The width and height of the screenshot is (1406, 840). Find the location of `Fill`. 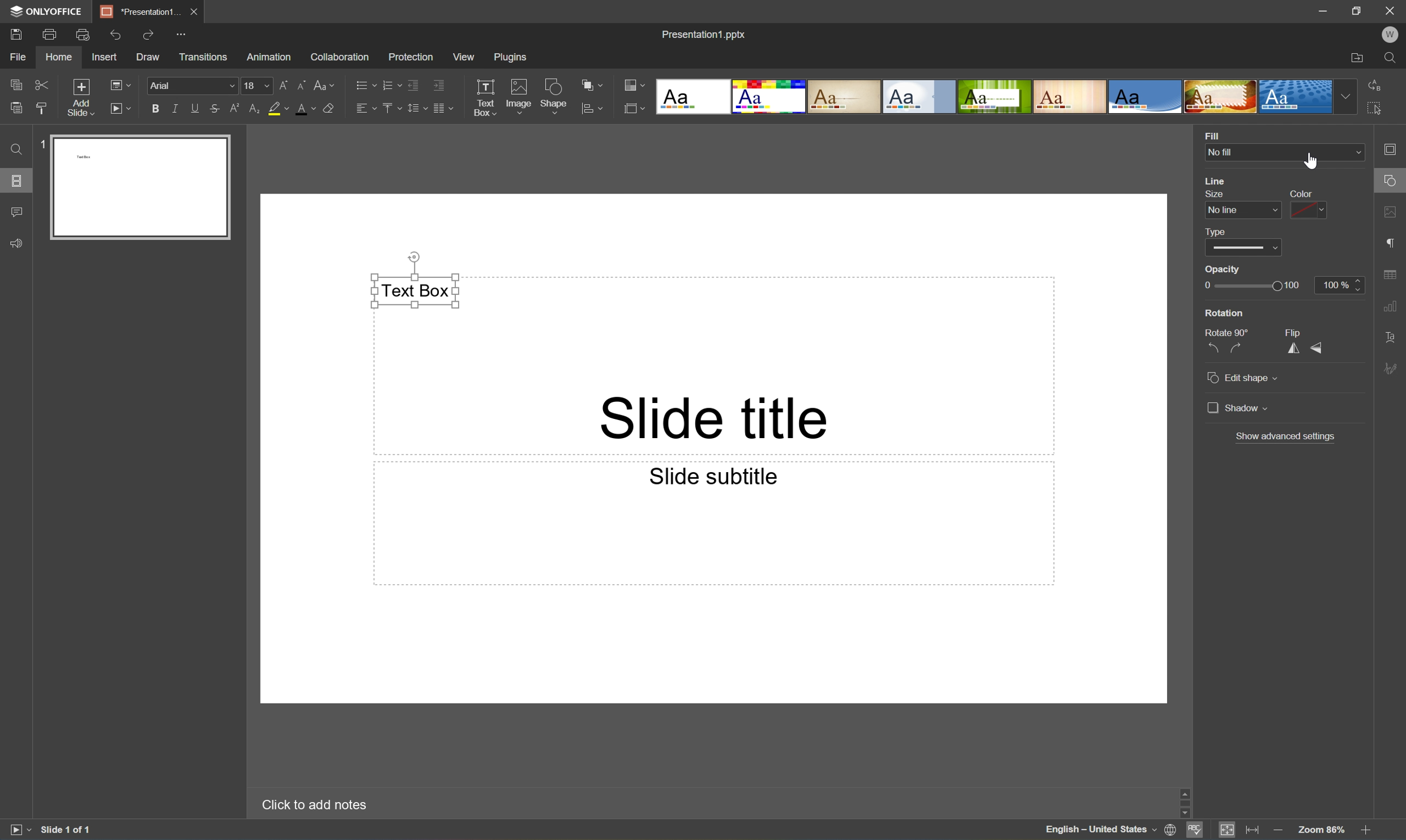

Fill is located at coordinates (1208, 134).